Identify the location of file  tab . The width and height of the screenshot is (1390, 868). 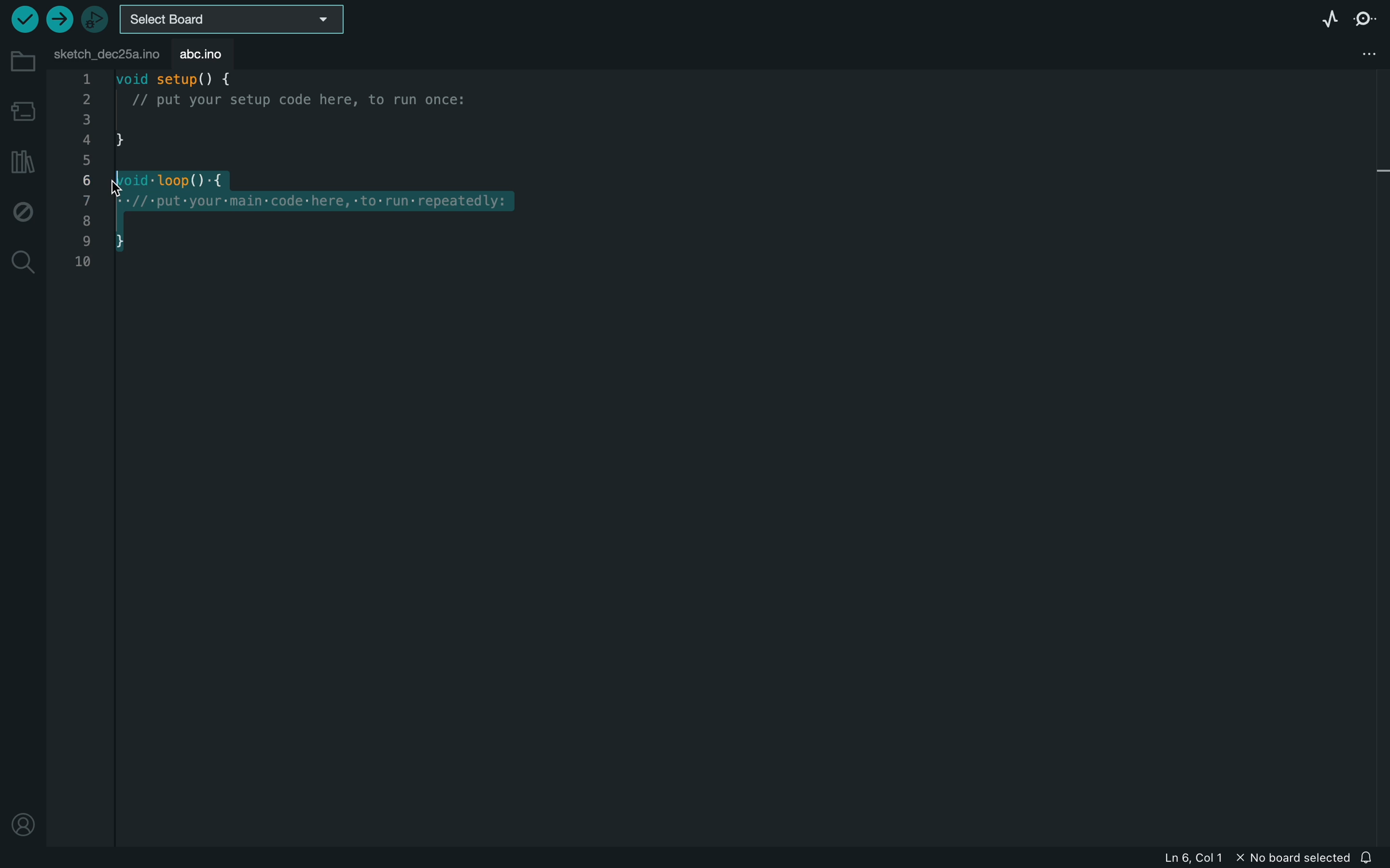
(104, 53).